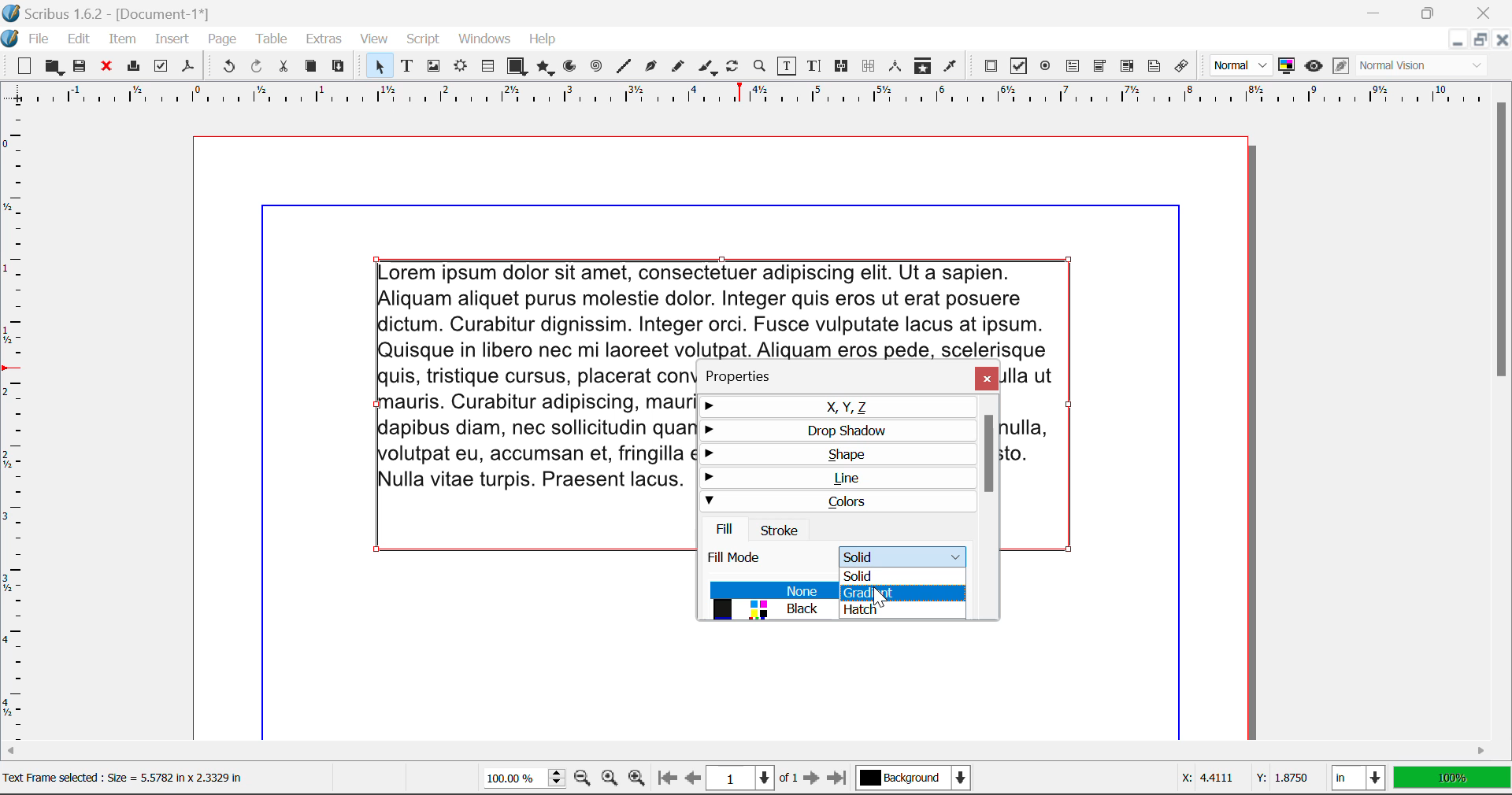  I want to click on X, Y, Z, so click(838, 407).